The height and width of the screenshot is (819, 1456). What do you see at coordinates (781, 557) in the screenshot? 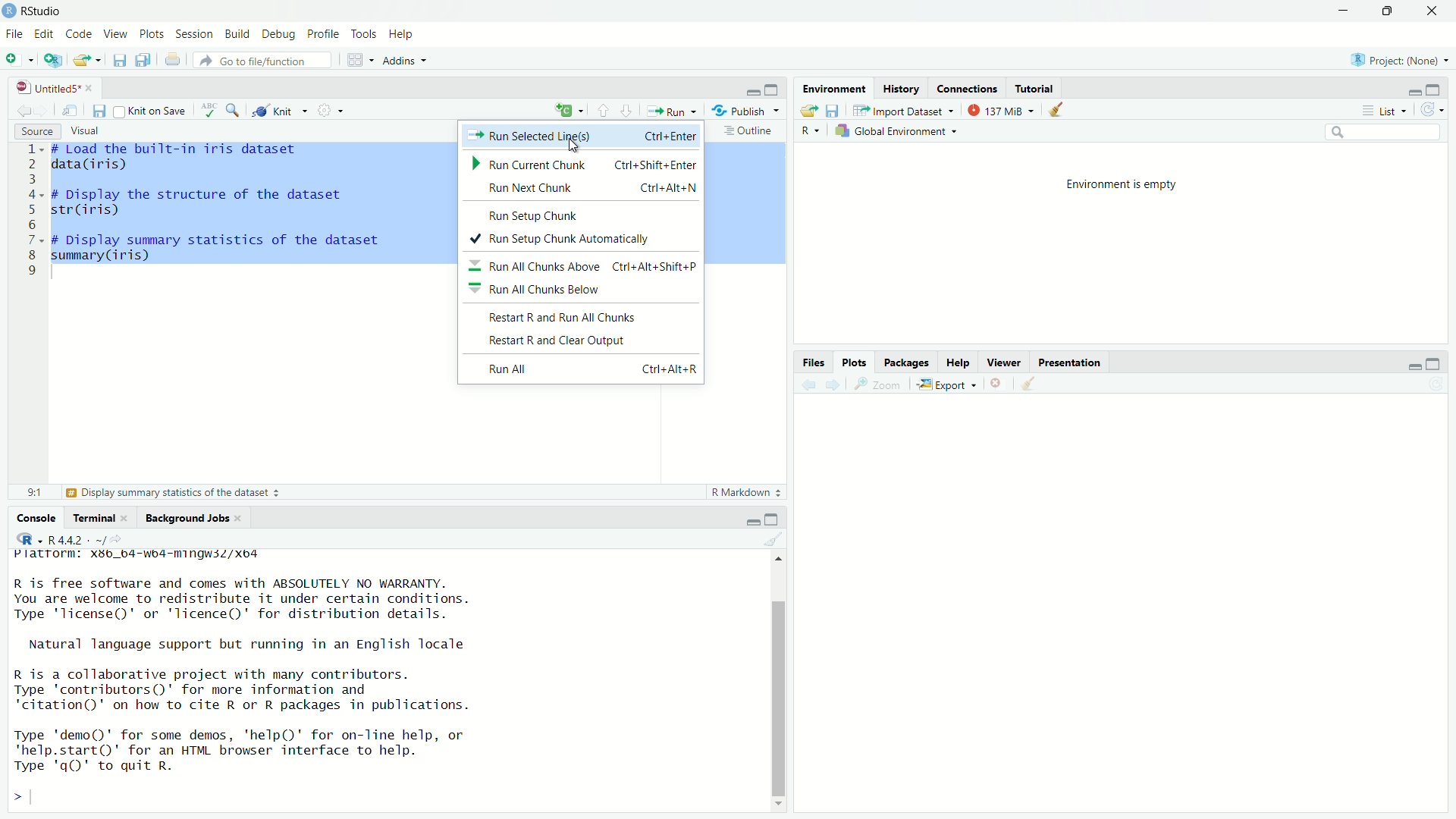
I see `Scroll Up` at bounding box center [781, 557].